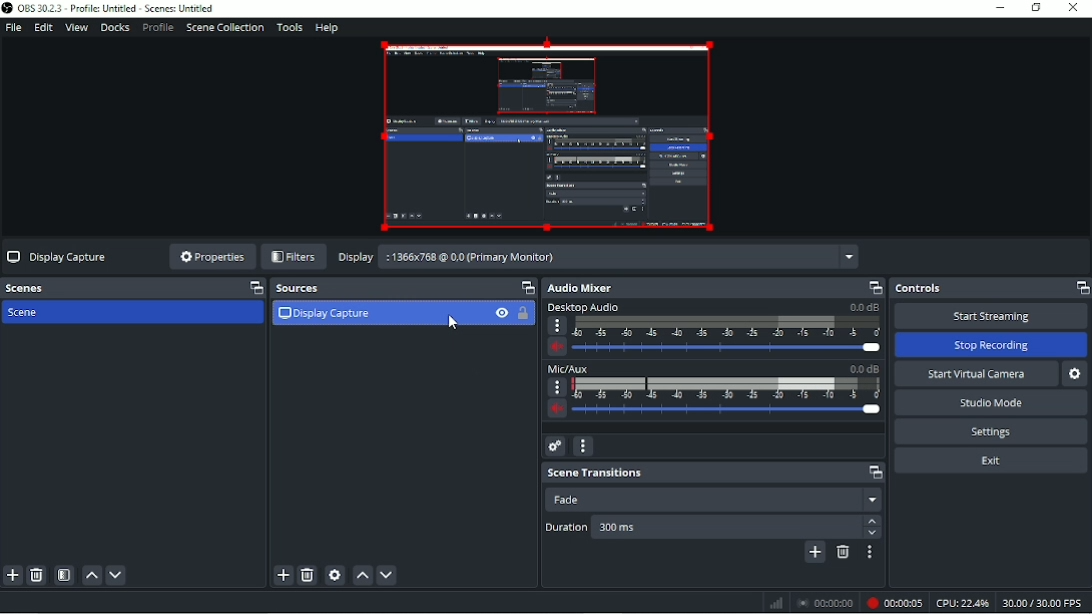 Image resolution: width=1092 pixels, height=614 pixels. Describe the element at coordinates (843, 554) in the screenshot. I see `Remove configurable transition` at that location.